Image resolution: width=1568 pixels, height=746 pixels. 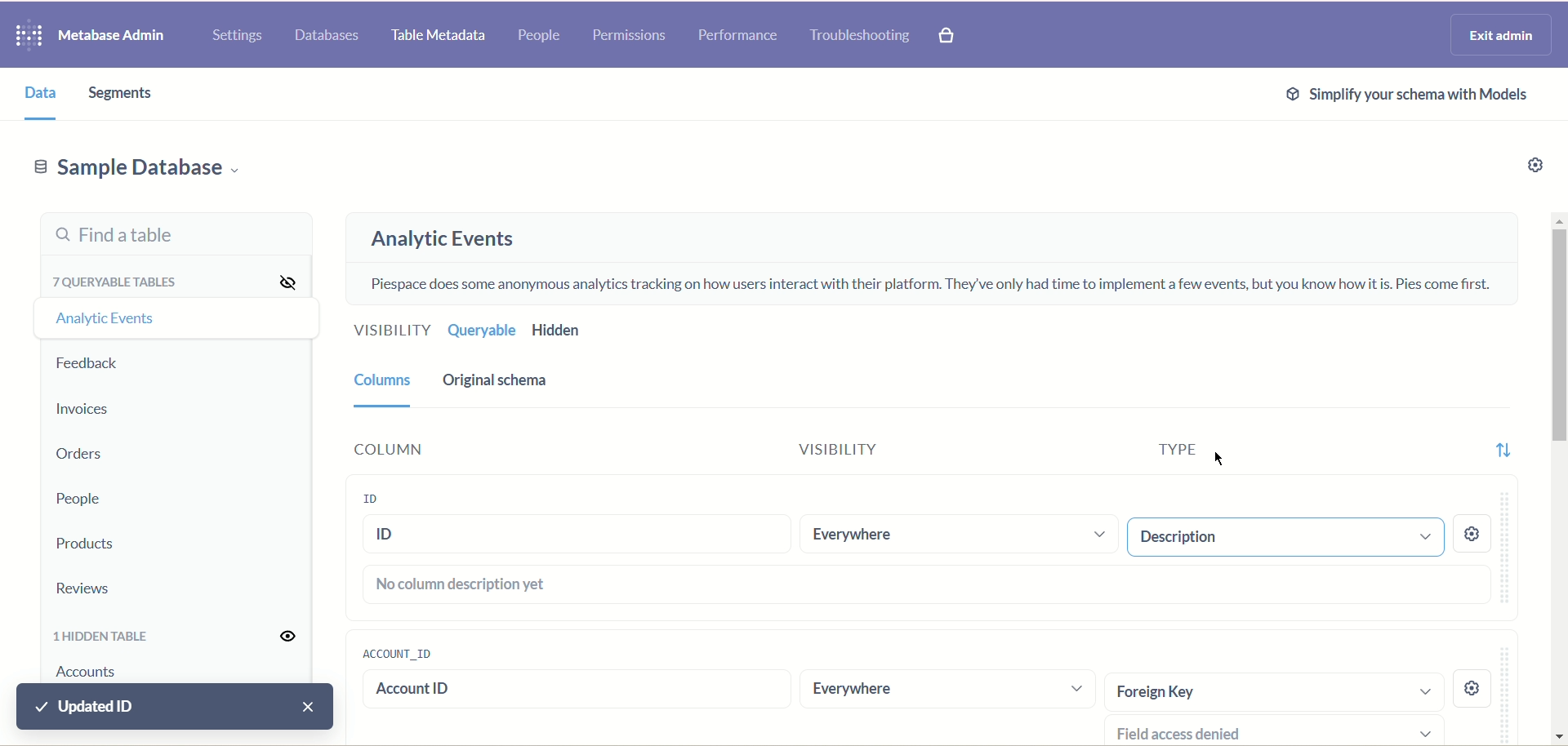 What do you see at coordinates (120, 279) in the screenshot?
I see `queryable tables` at bounding box center [120, 279].